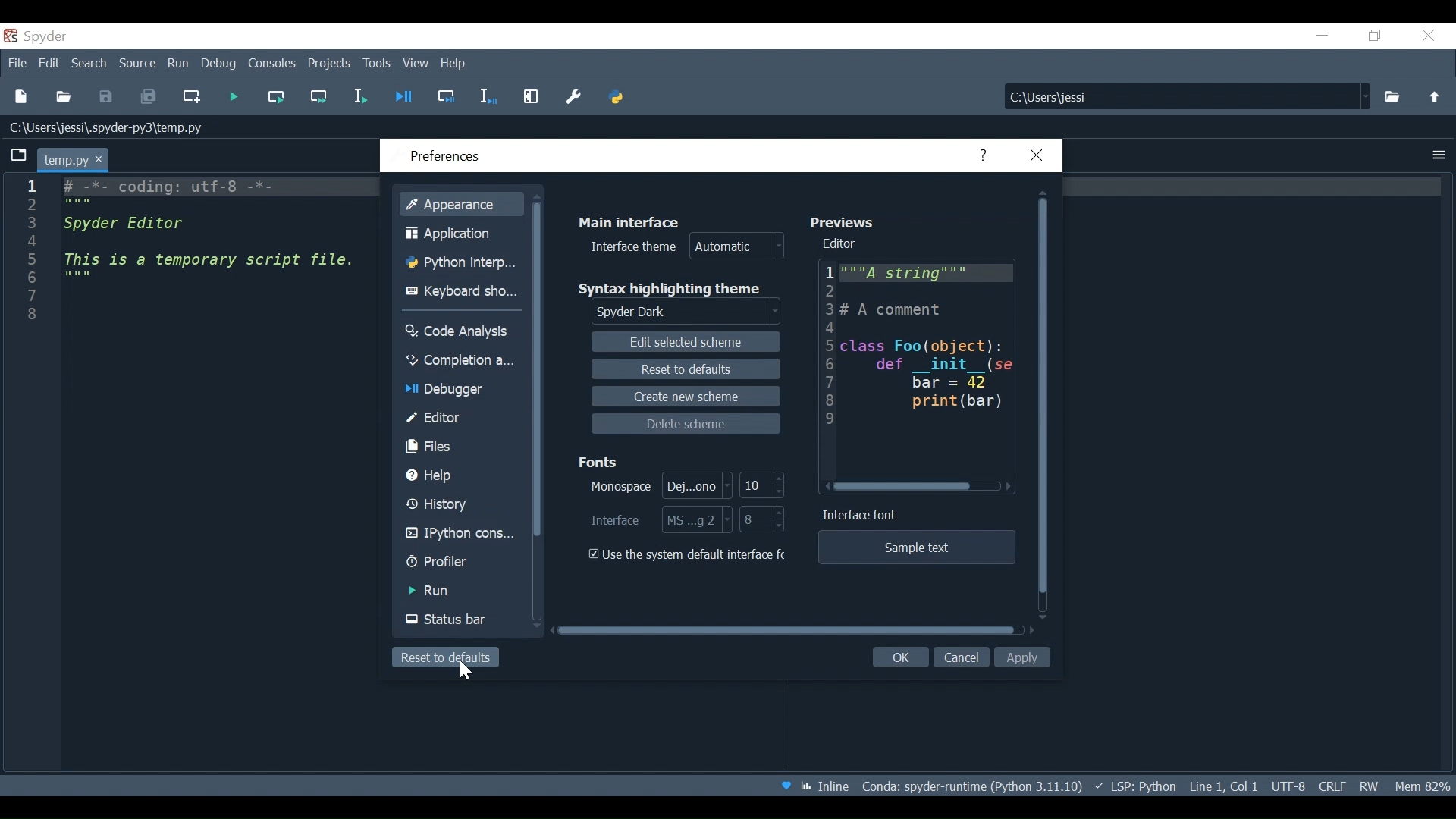 This screenshot has height=819, width=1456. What do you see at coordinates (1134, 786) in the screenshot?
I see `Language` at bounding box center [1134, 786].